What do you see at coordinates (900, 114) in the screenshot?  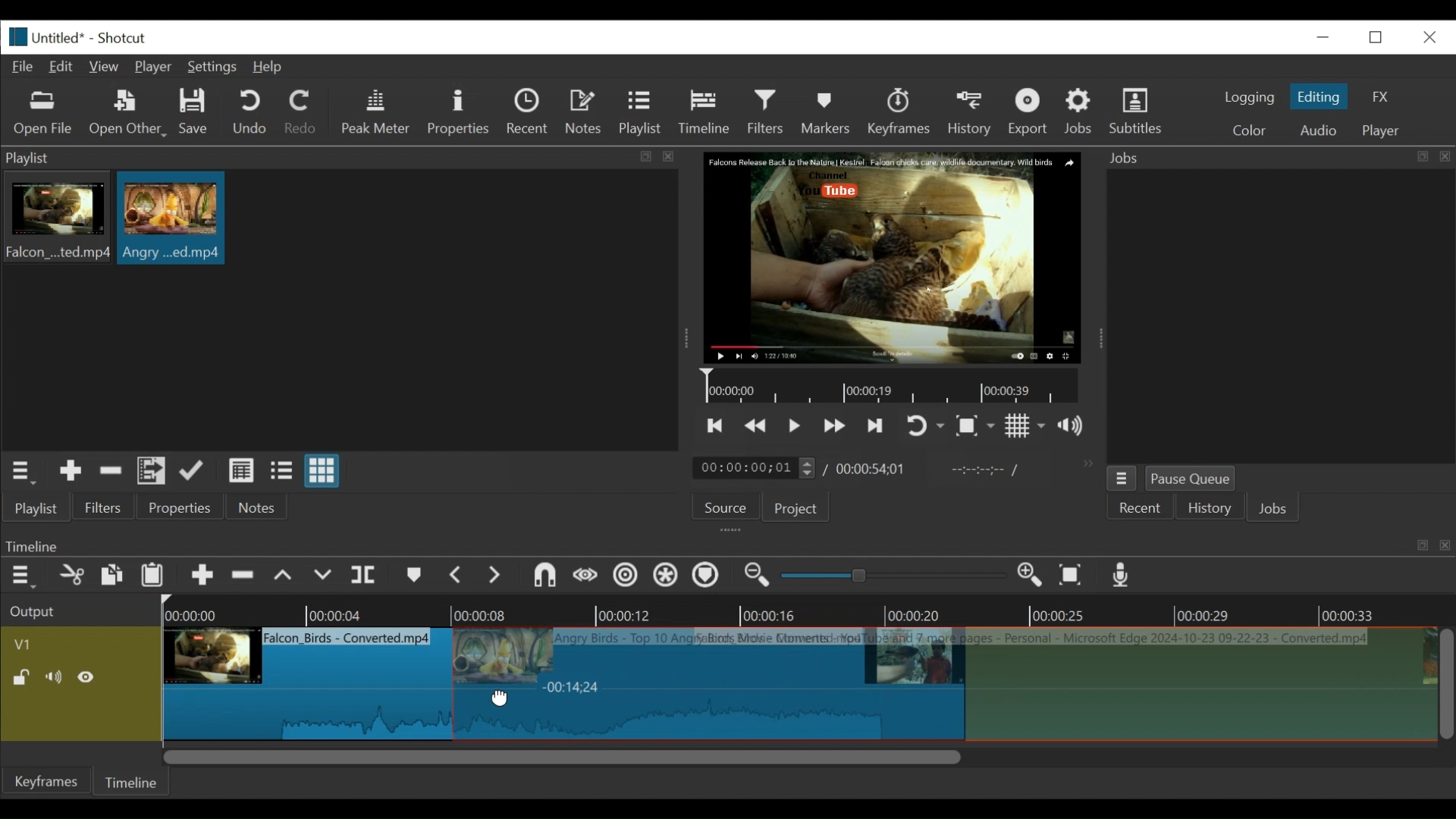 I see `keyframes` at bounding box center [900, 114].